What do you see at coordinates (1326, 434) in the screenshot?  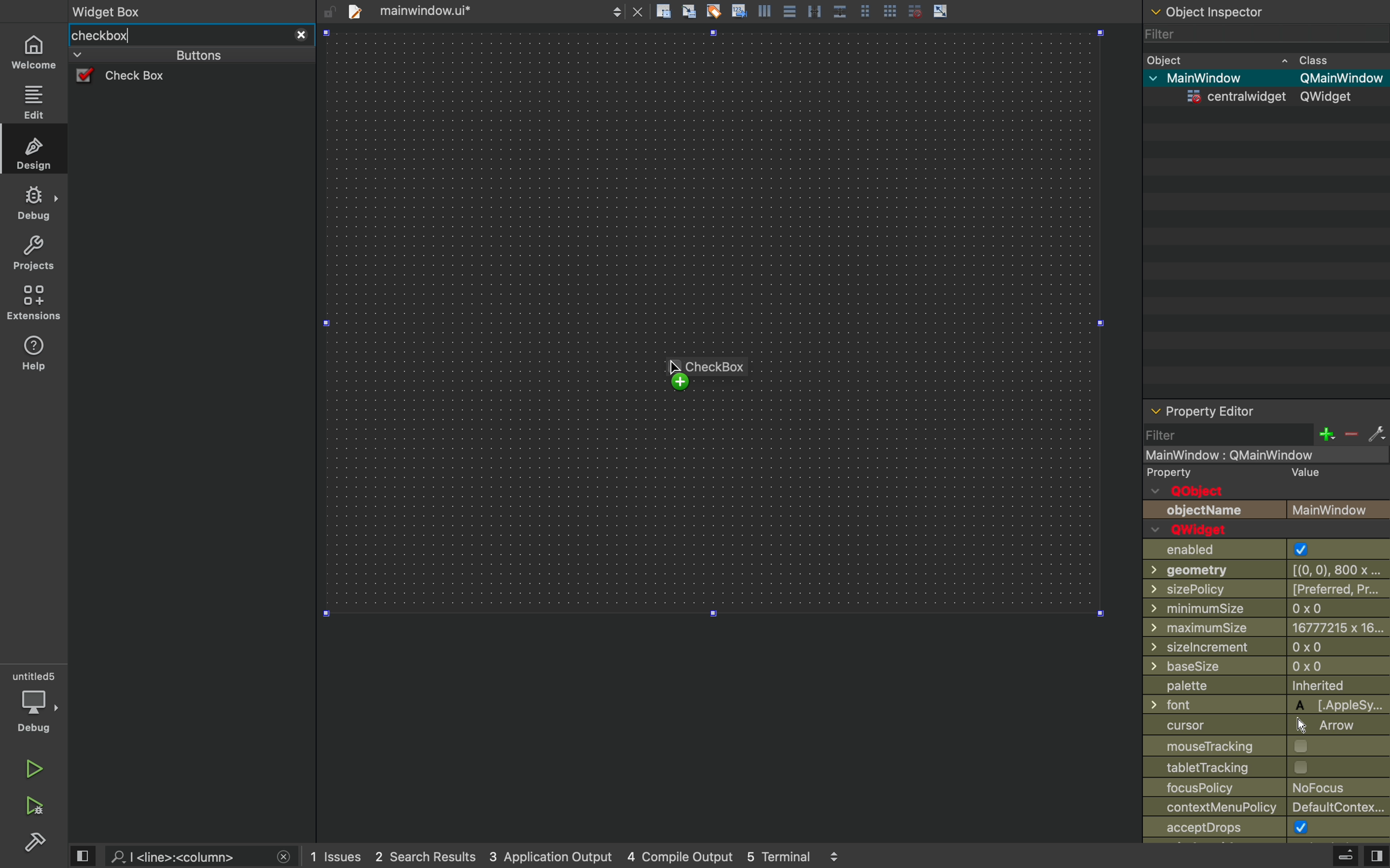 I see `plus` at bounding box center [1326, 434].